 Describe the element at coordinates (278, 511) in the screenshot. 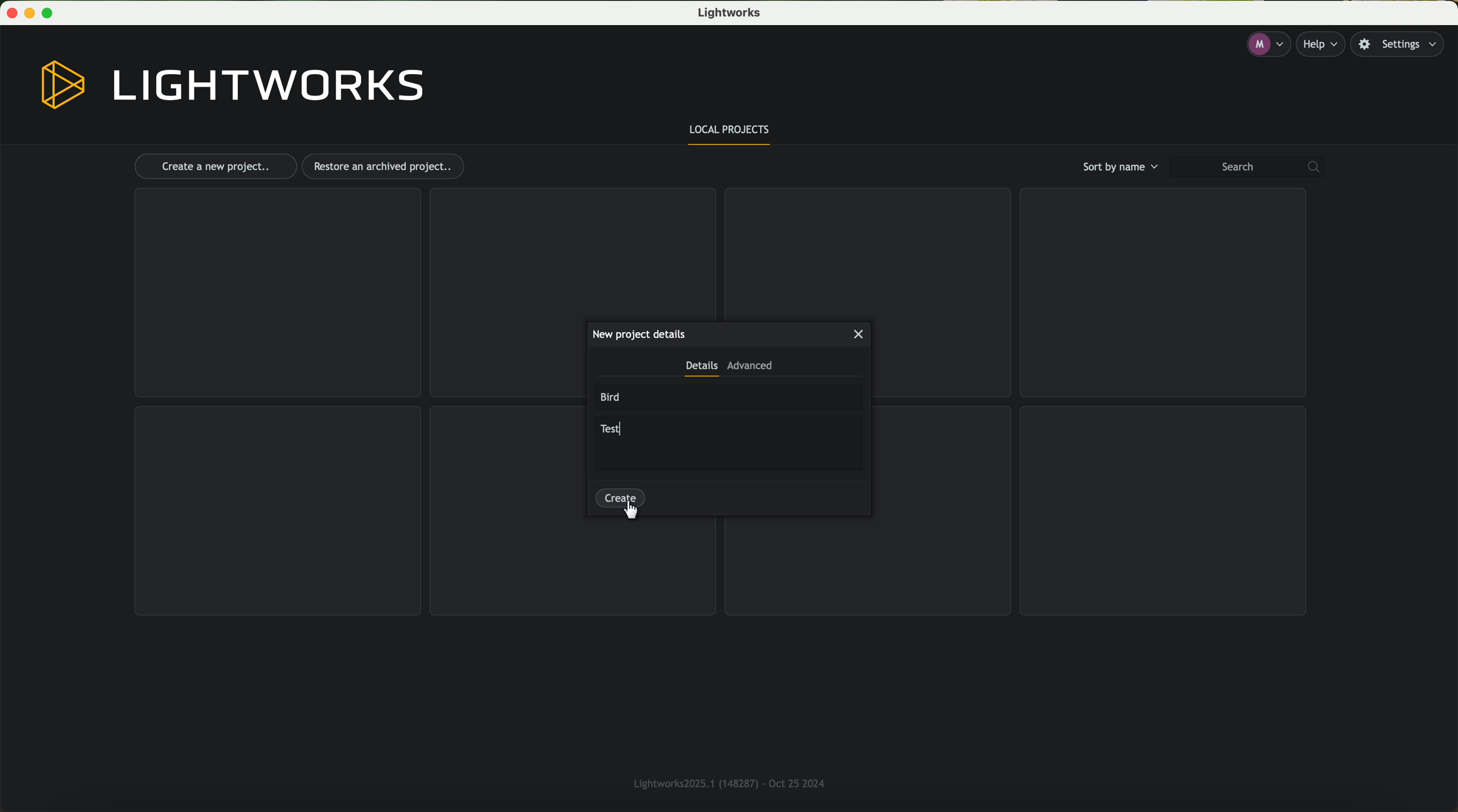

I see `grid` at that location.